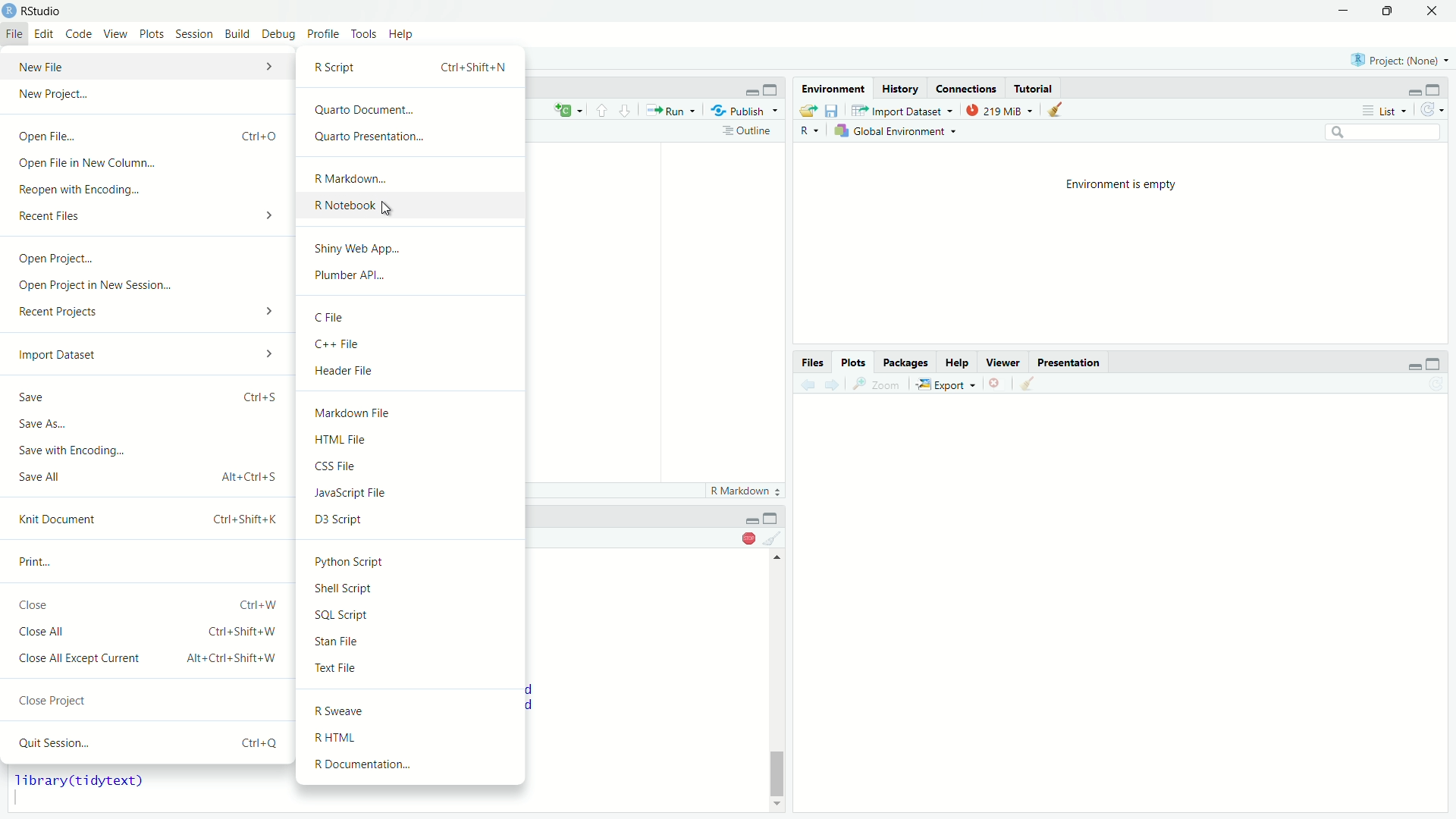 This screenshot has width=1456, height=819. I want to click on HTML File, so click(414, 437).